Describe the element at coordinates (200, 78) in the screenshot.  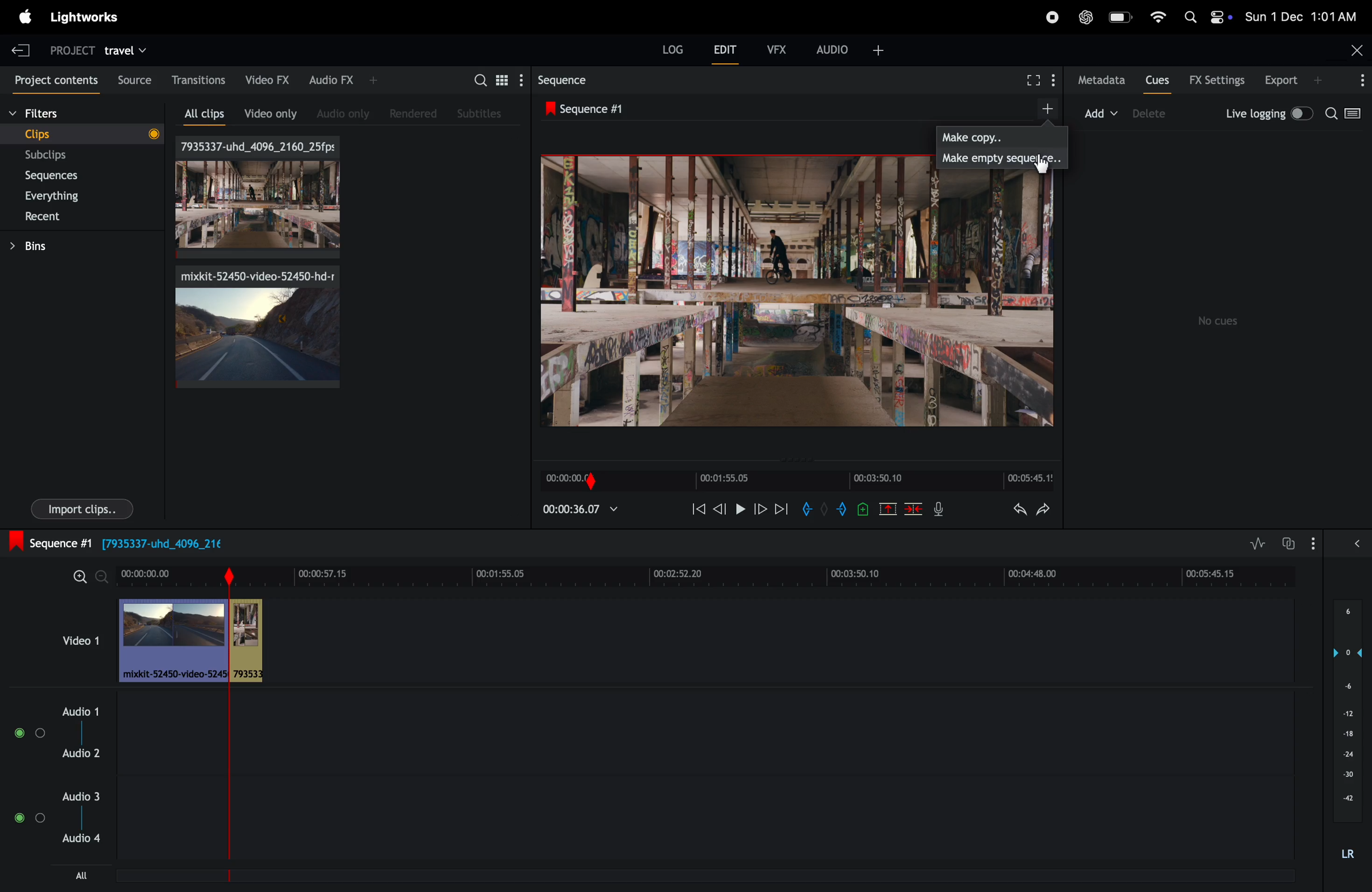
I see `transitions` at that location.